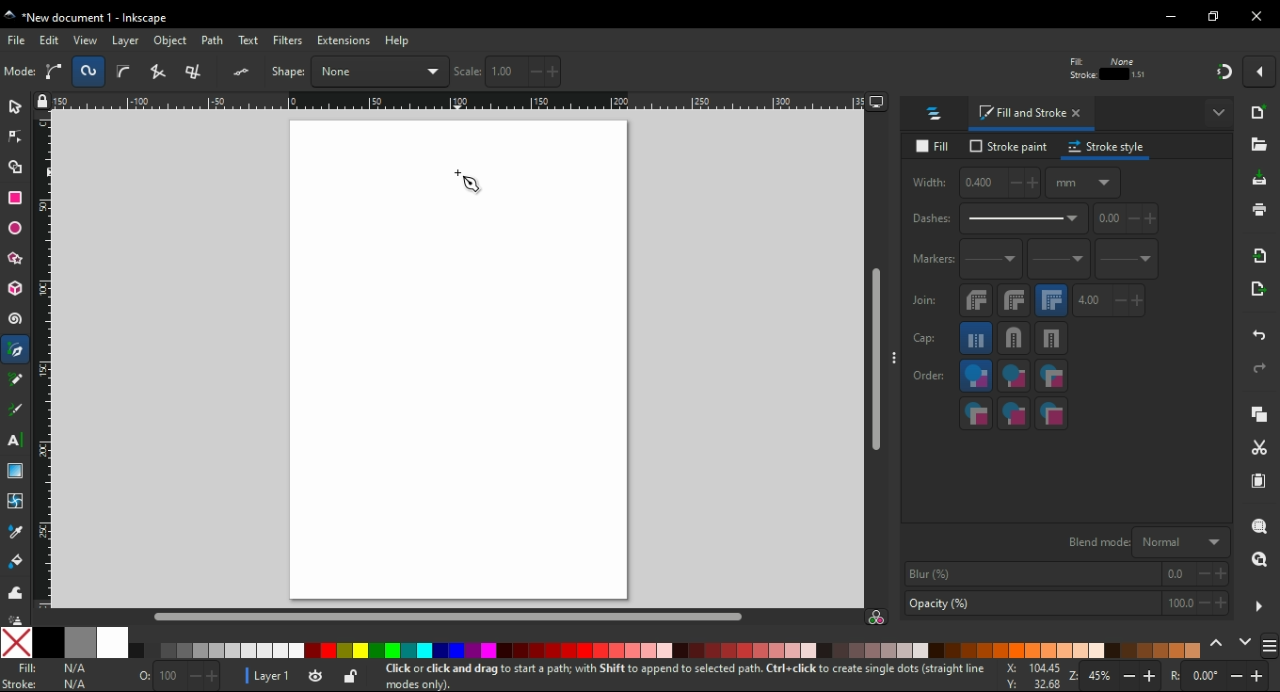 This screenshot has width=1280, height=692. What do you see at coordinates (1013, 338) in the screenshot?
I see `round` at bounding box center [1013, 338].